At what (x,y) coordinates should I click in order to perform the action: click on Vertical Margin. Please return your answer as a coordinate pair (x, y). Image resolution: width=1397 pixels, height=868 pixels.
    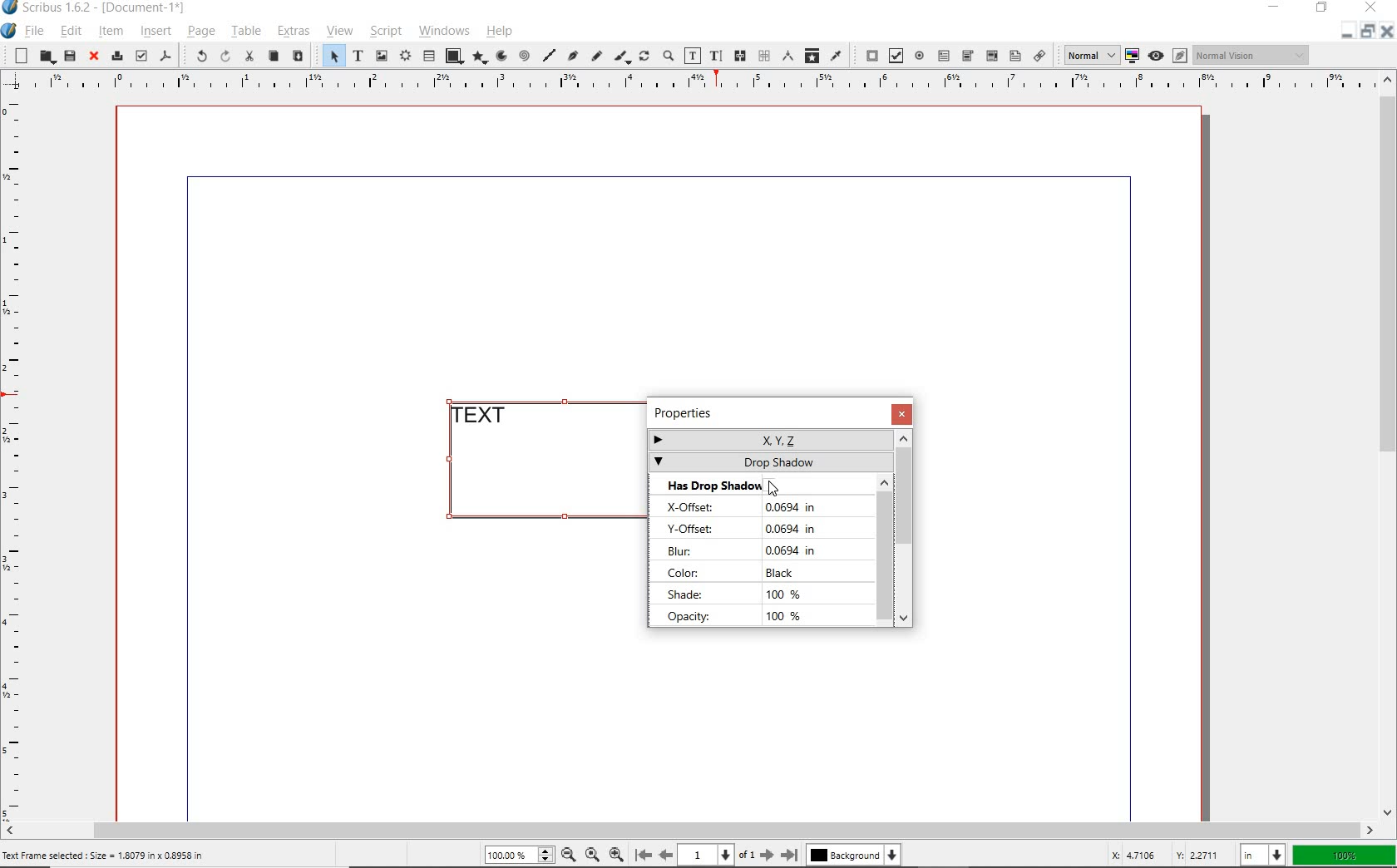
    Looking at the image, I should click on (19, 457).